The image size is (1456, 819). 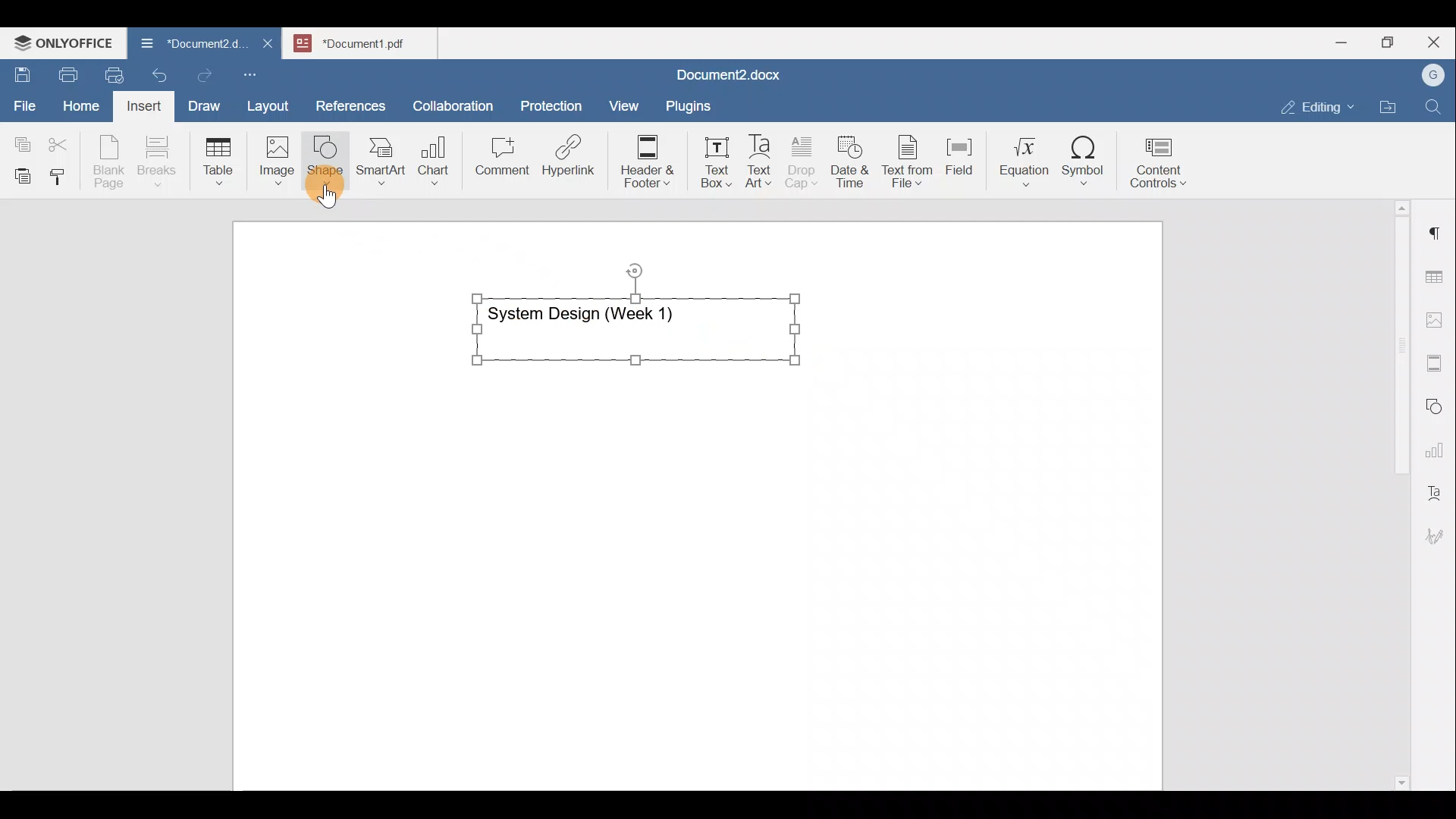 I want to click on Shapes settings, so click(x=1437, y=404).